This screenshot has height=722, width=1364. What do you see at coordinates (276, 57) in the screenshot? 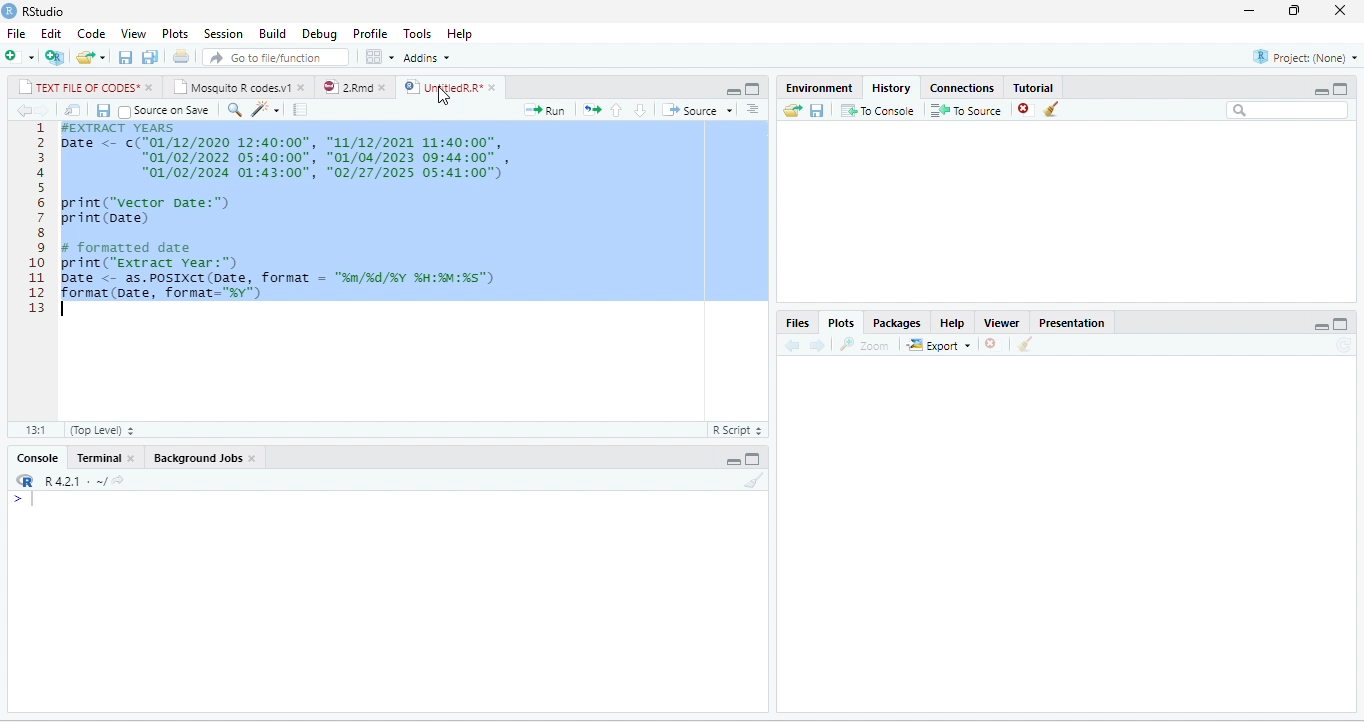
I see `search file` at bounding box center [276, 57].